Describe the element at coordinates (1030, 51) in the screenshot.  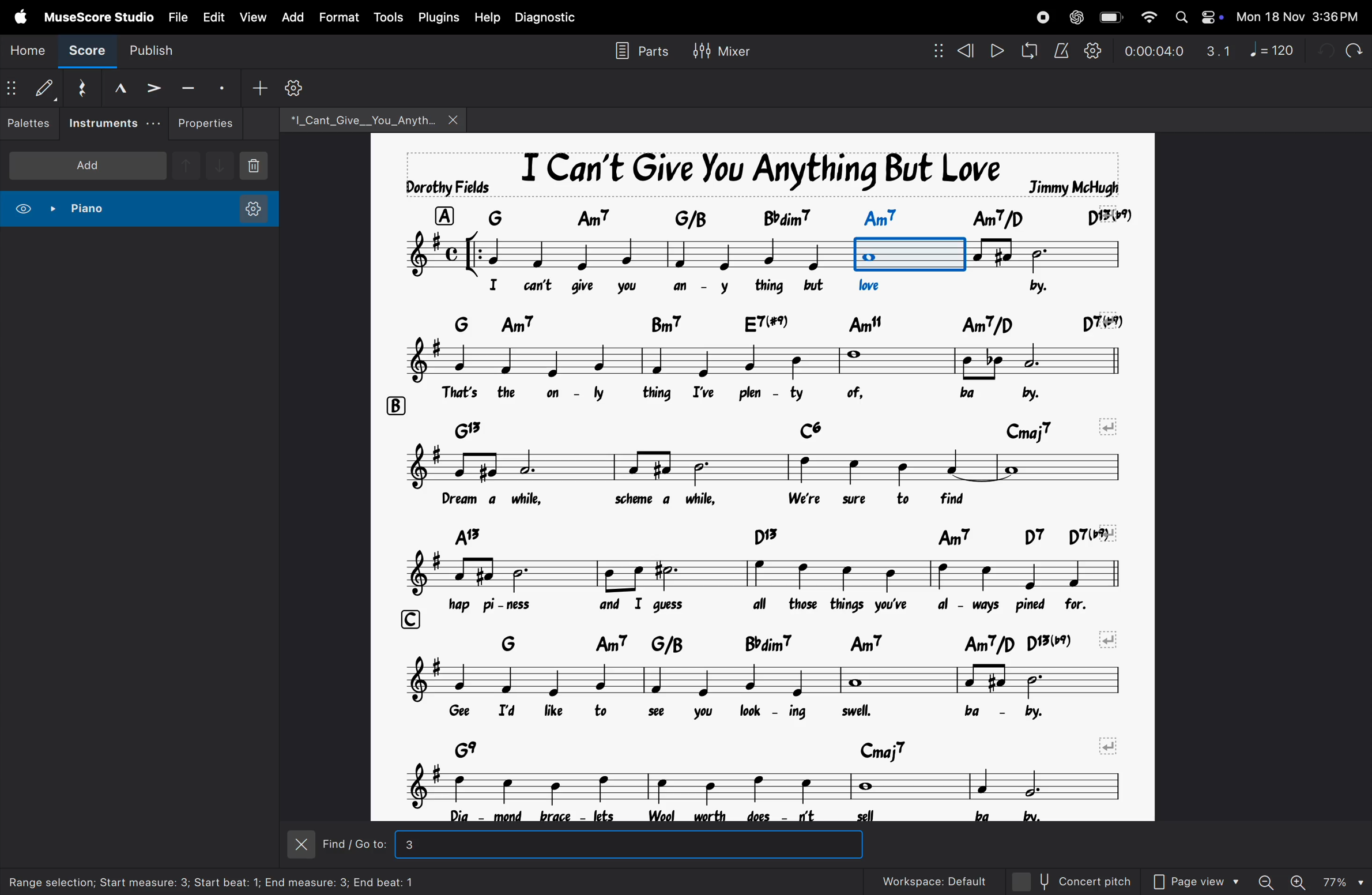
I see `loop playback` at that location.